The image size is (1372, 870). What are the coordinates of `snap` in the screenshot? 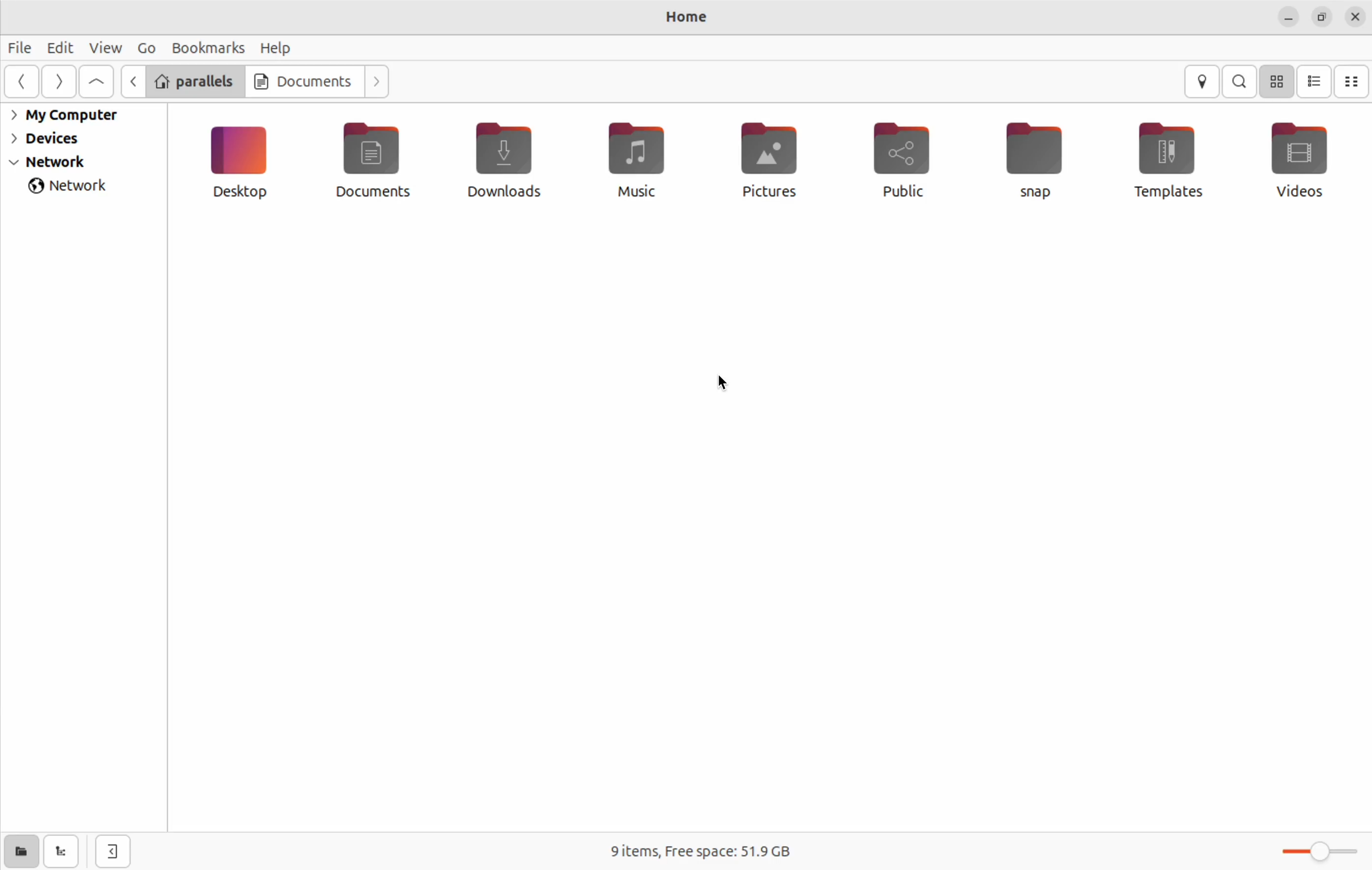 It's located at (1039, 161).